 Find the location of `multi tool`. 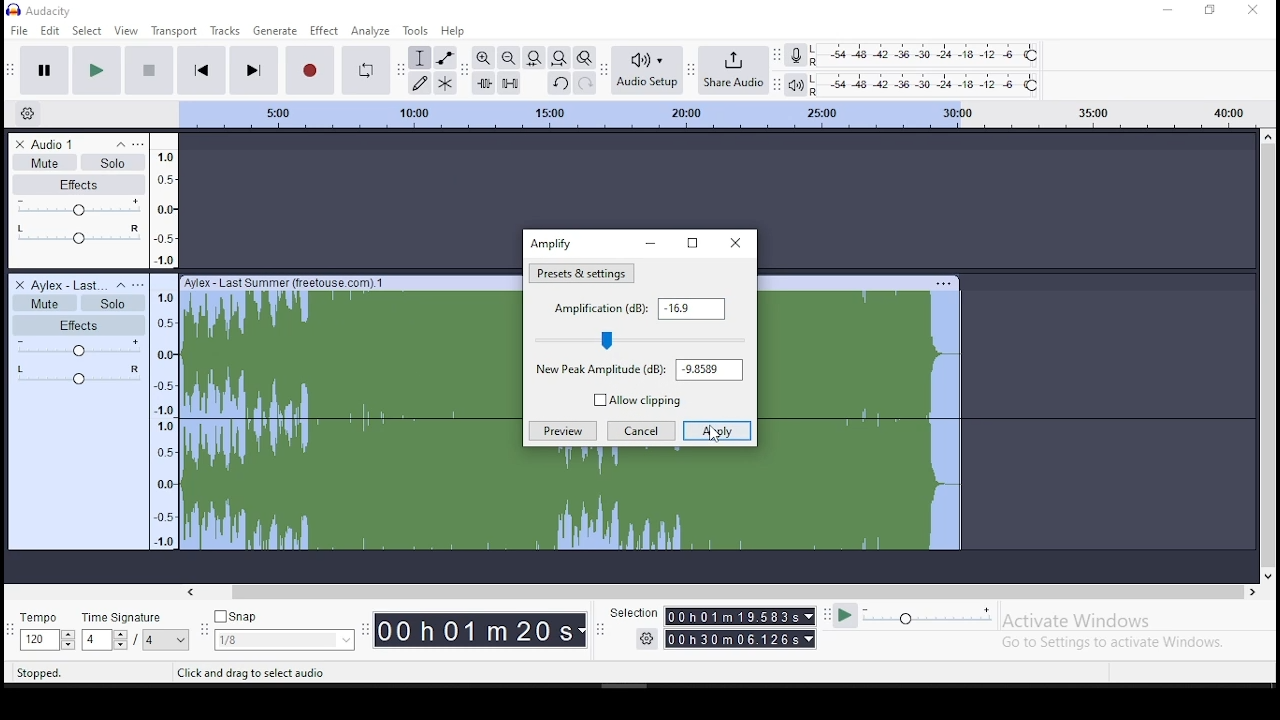

multi tool is located at coordinates (446, 84).